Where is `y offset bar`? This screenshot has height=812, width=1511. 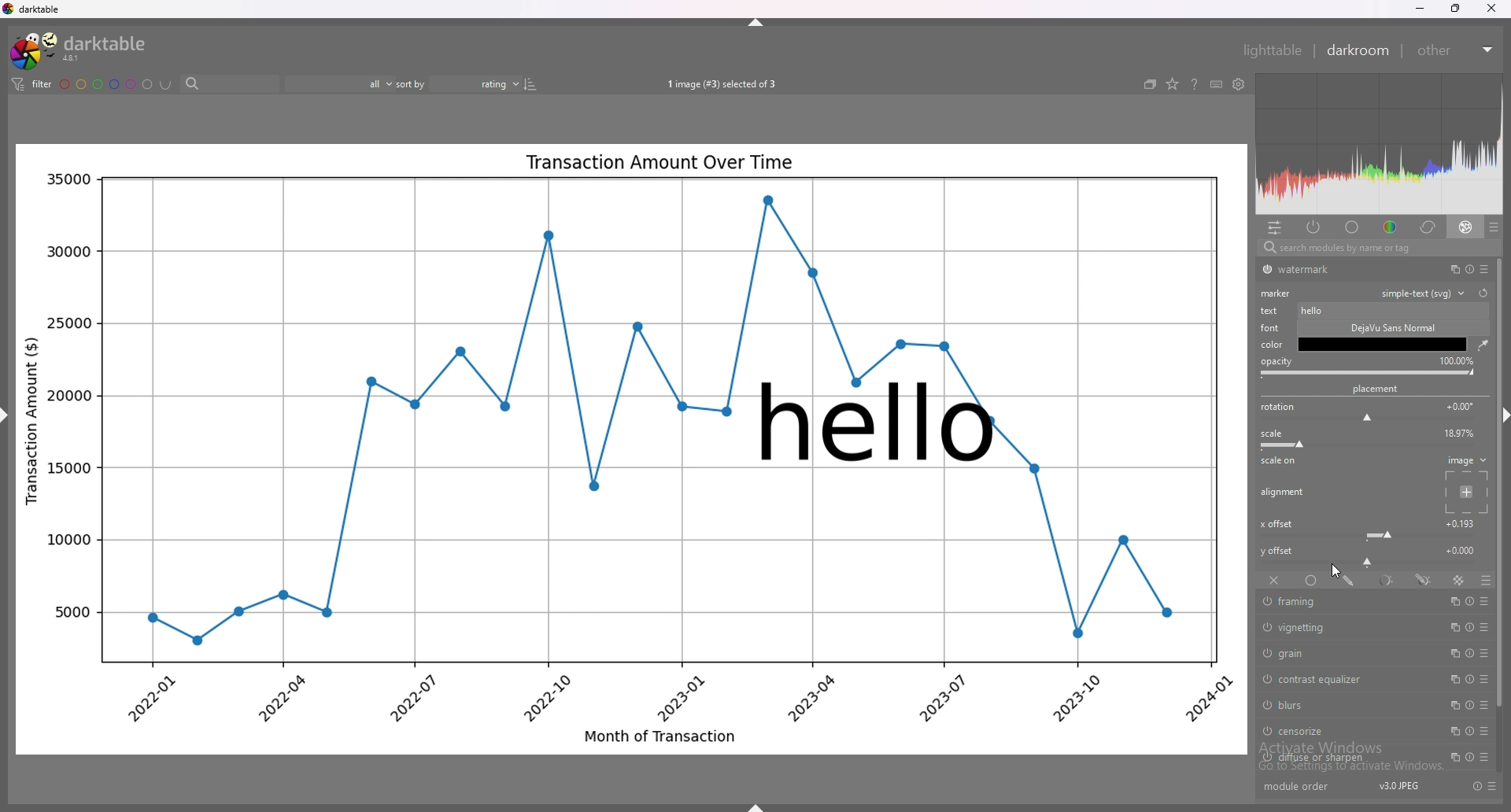 y offset bar is located at coordinates (1368, 564).